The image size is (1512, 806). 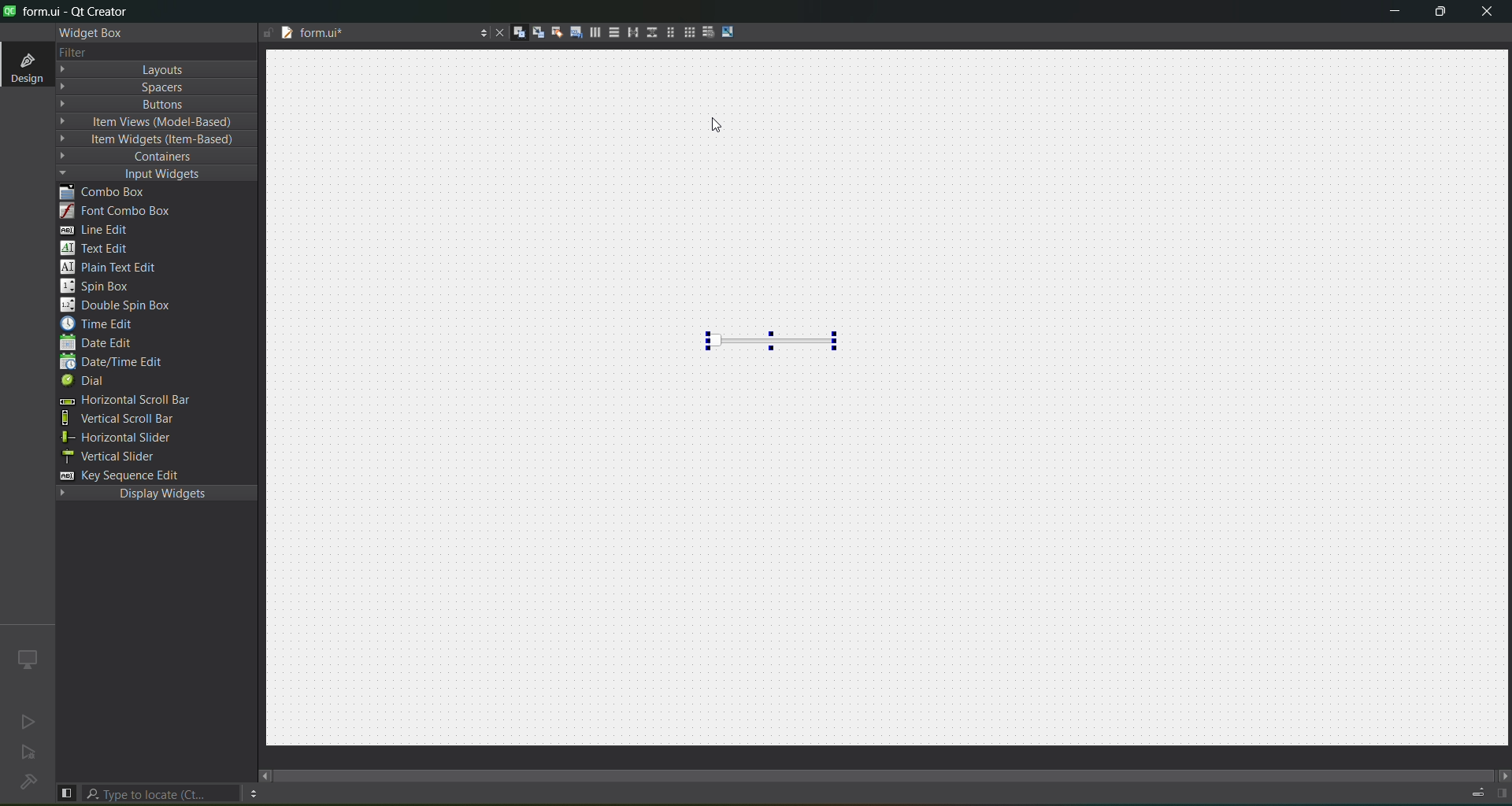 What do you see at coordinates (1488, 13) in the screenshot?
I see `close` at bounding box center [1488, 13].